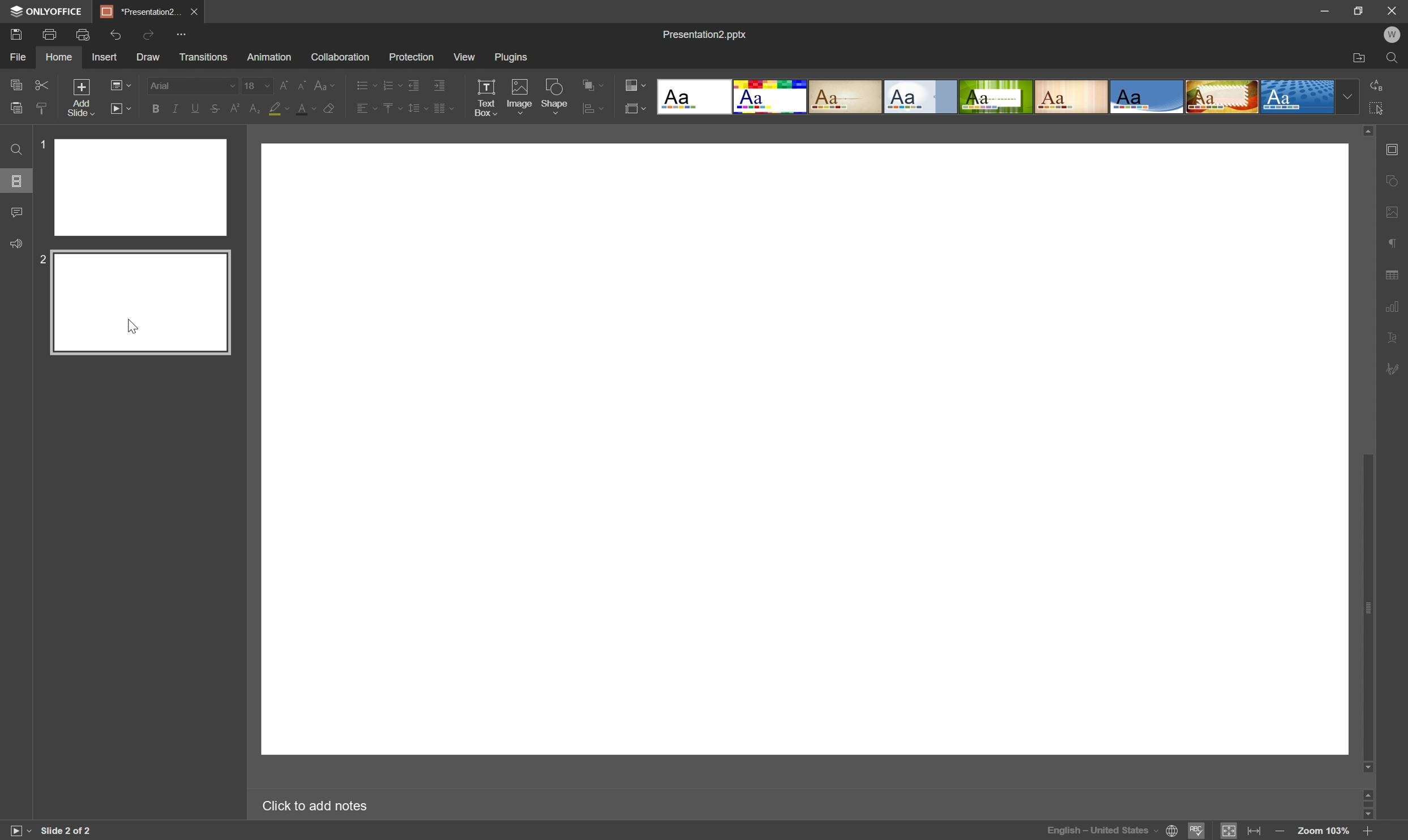  I want to click on Redo, so click(151, 35).